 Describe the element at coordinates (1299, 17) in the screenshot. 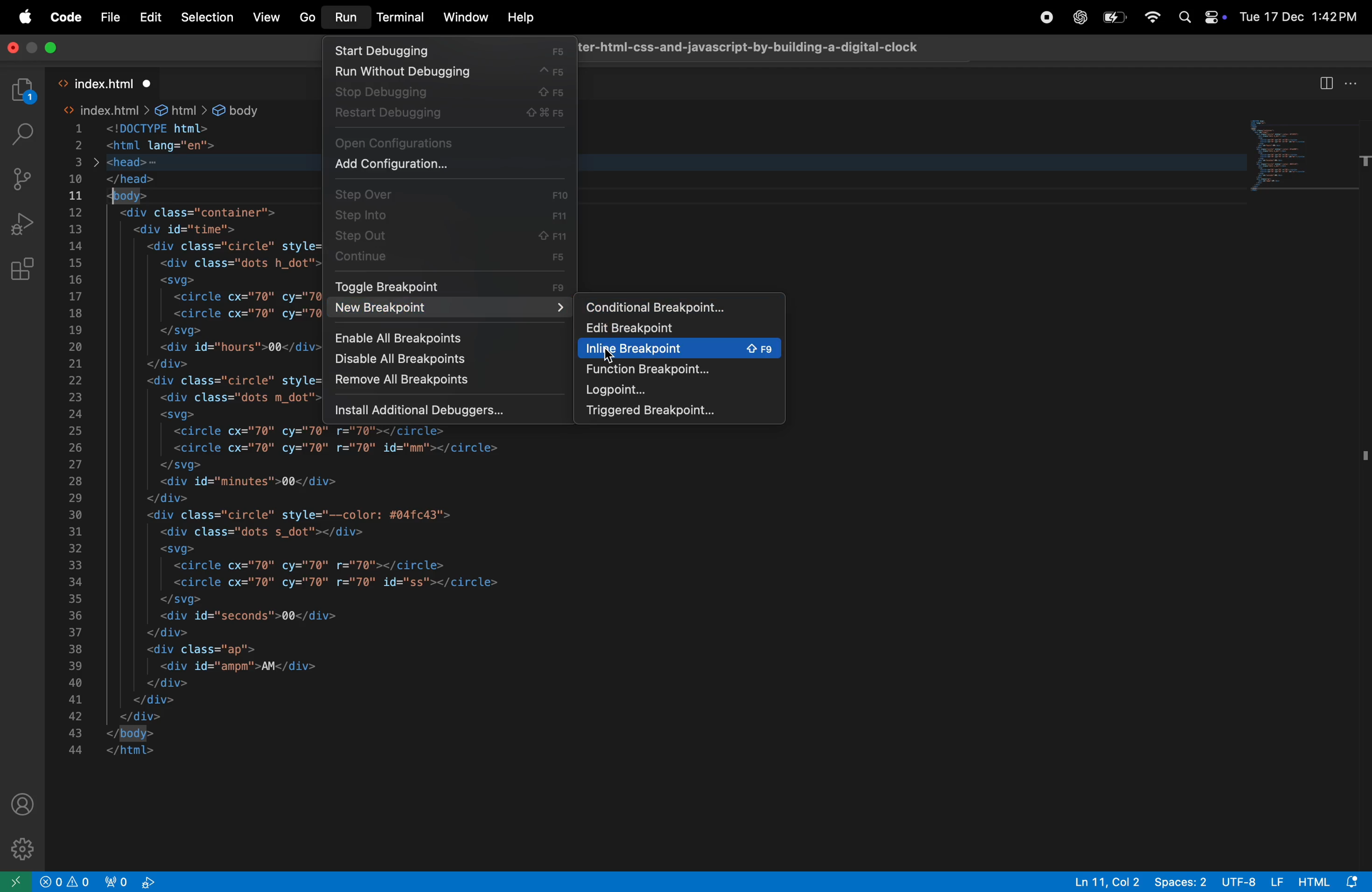

I see `Tue 17 Dec 1:42 PM` at that location.